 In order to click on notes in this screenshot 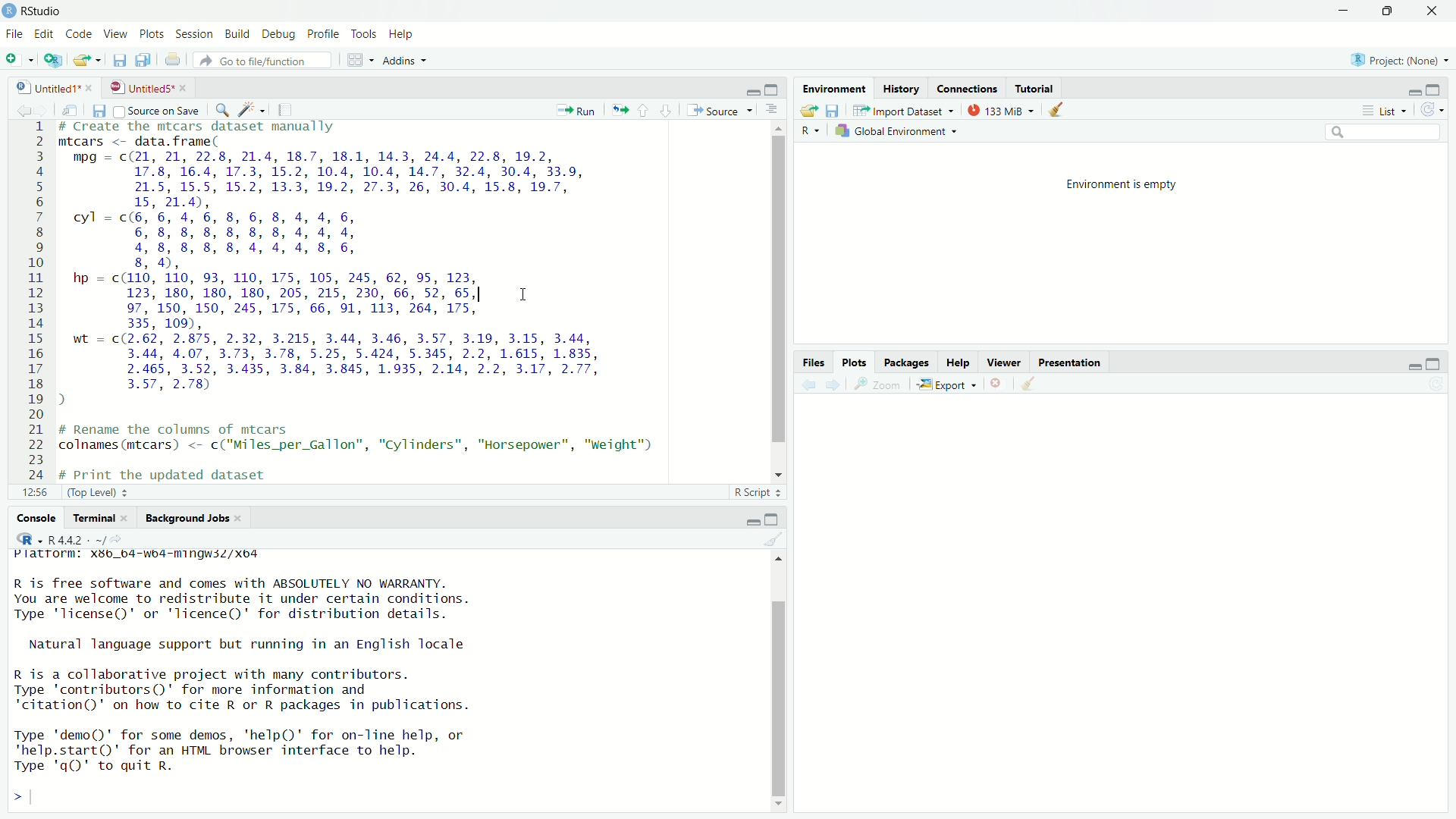, I will do `click(286, 107)`.